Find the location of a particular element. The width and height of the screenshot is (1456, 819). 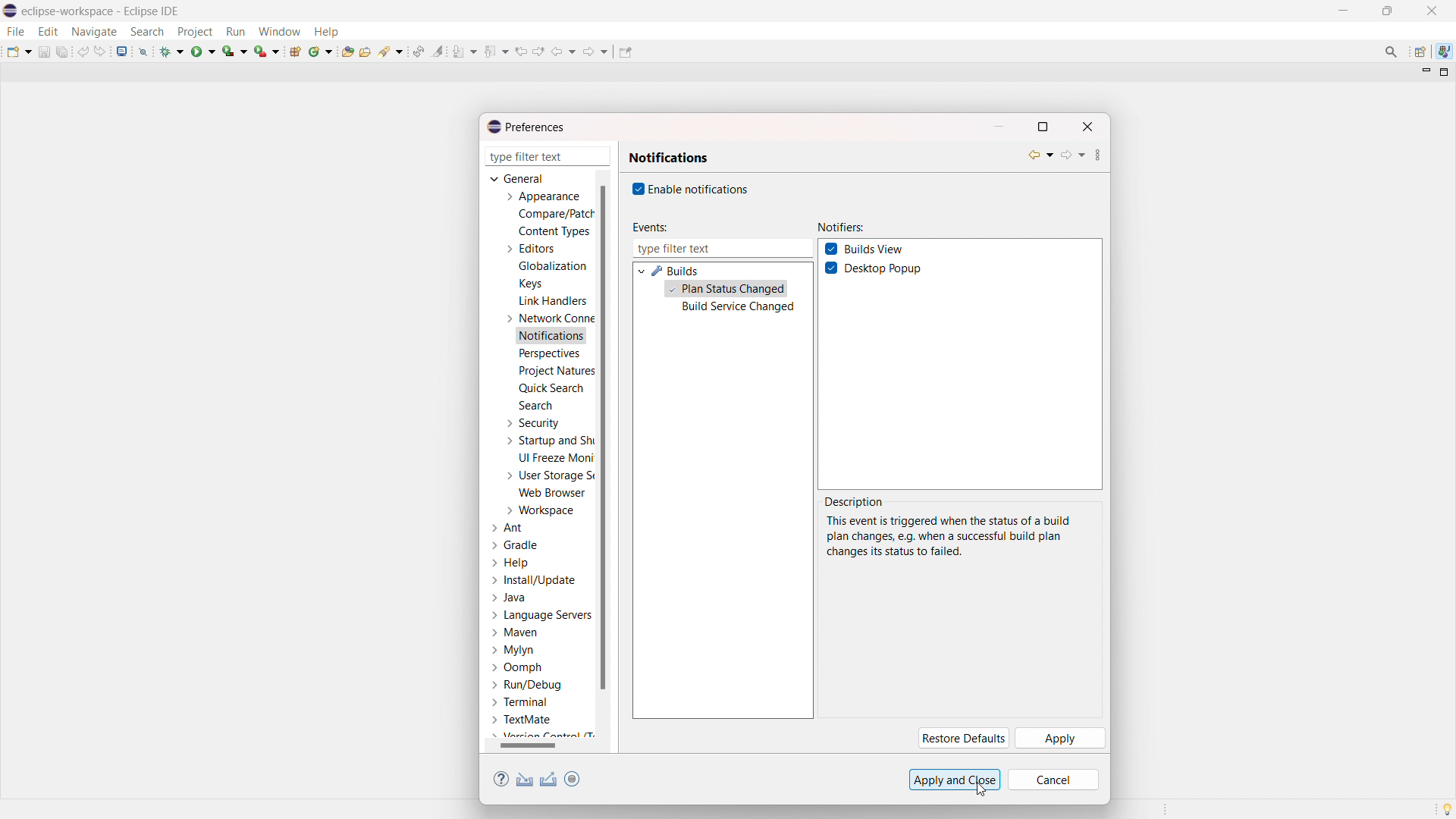

new is located at coordinates (19, 51).